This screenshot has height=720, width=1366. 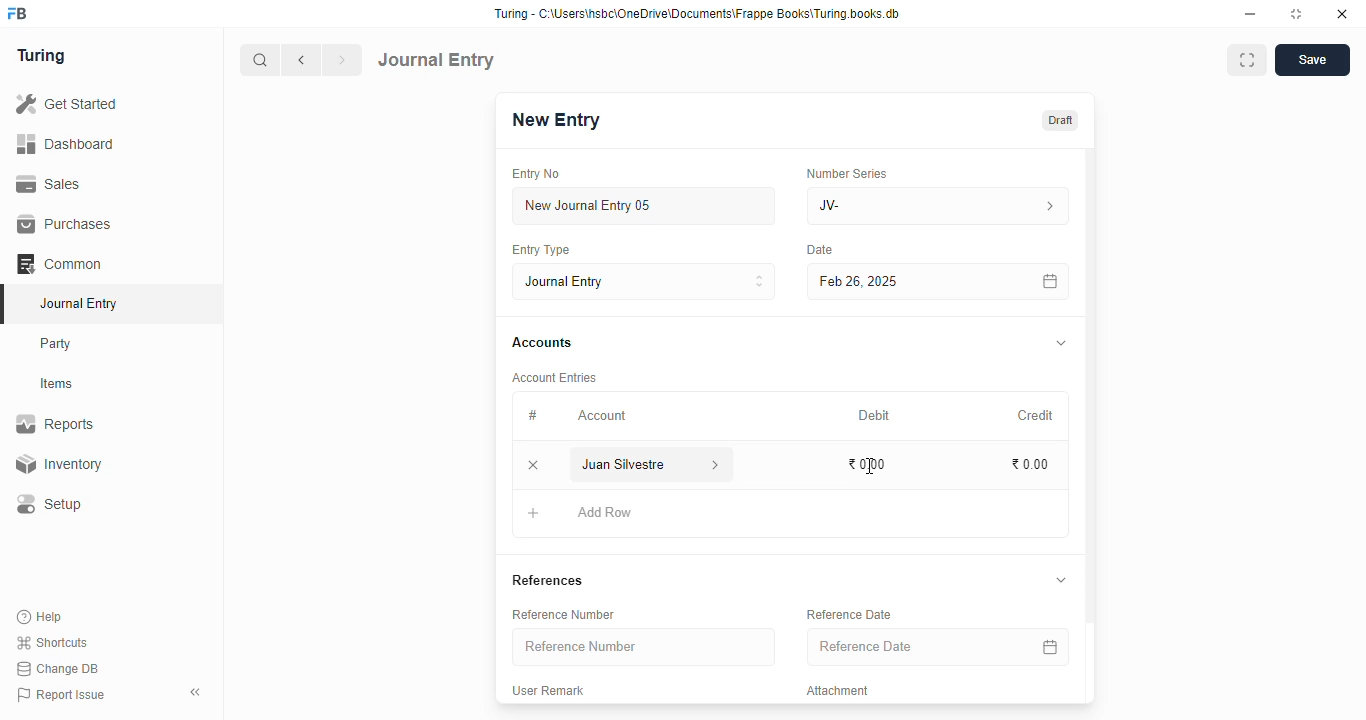 What do you see at coordinates (344, 60) in the screenshot?
I see `next` at bounding box center [344, 60].